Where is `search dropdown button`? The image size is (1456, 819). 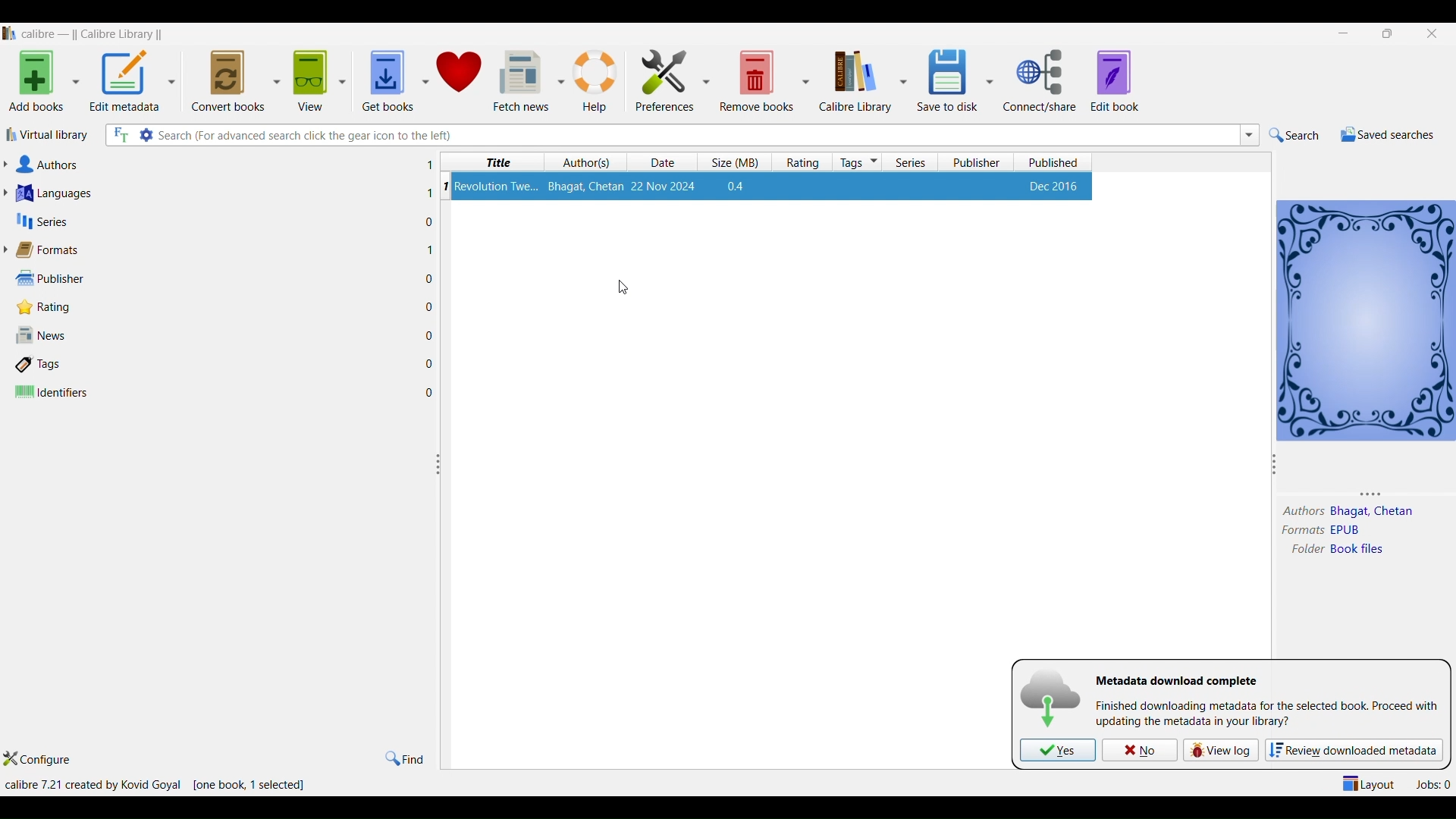 search dropdown button is located at coordinates (1250, 136).